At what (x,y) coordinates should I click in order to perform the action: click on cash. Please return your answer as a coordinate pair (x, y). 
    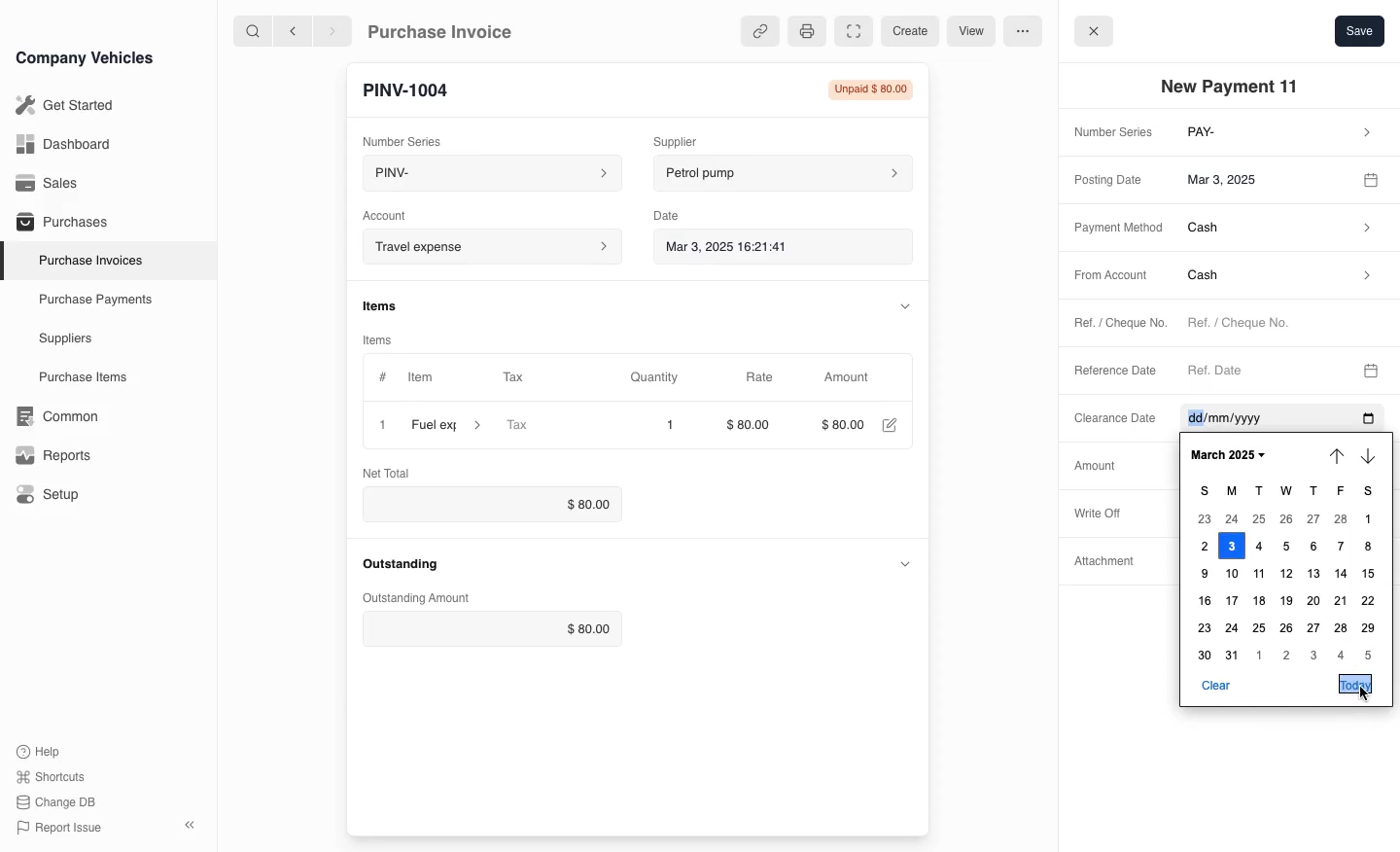
    Looking at the image, I should click on (1277, 279).